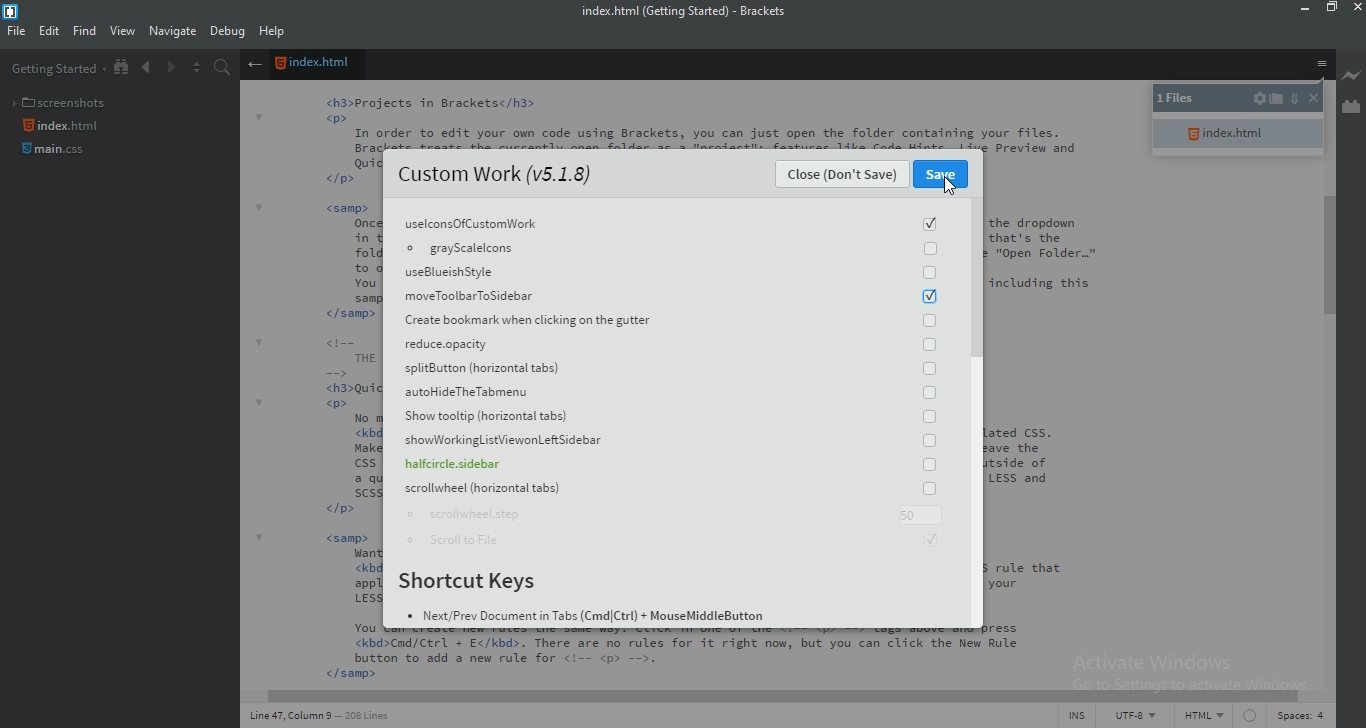 The height and width of the screenshot is (728, 1366). Describe the element at coordinates (670, 295) in the screenshot. I see `moveToolbarToSidebar` at that location.